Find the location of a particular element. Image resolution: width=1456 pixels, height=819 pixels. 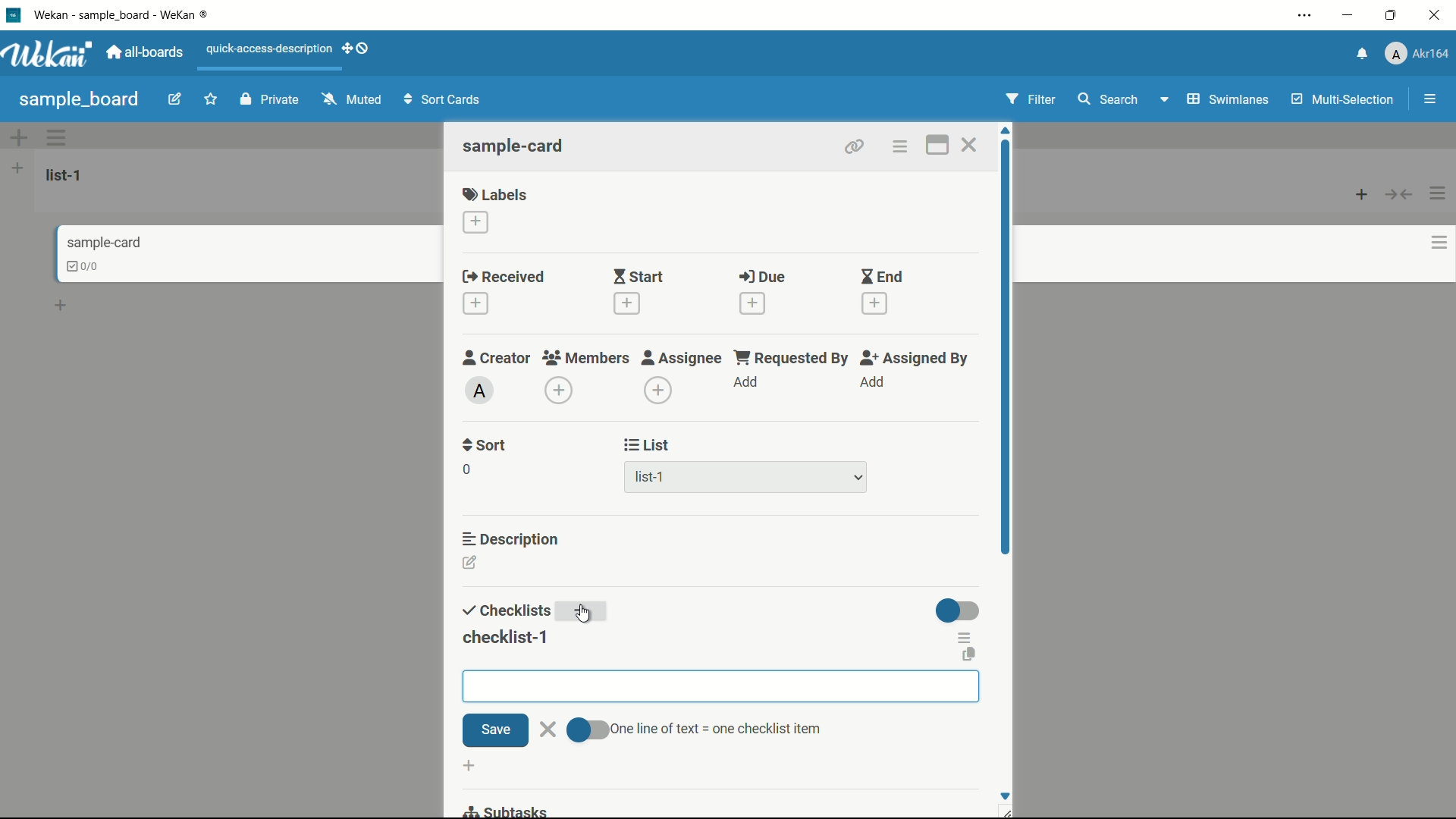

all boards is located at coordinates (146, 52).